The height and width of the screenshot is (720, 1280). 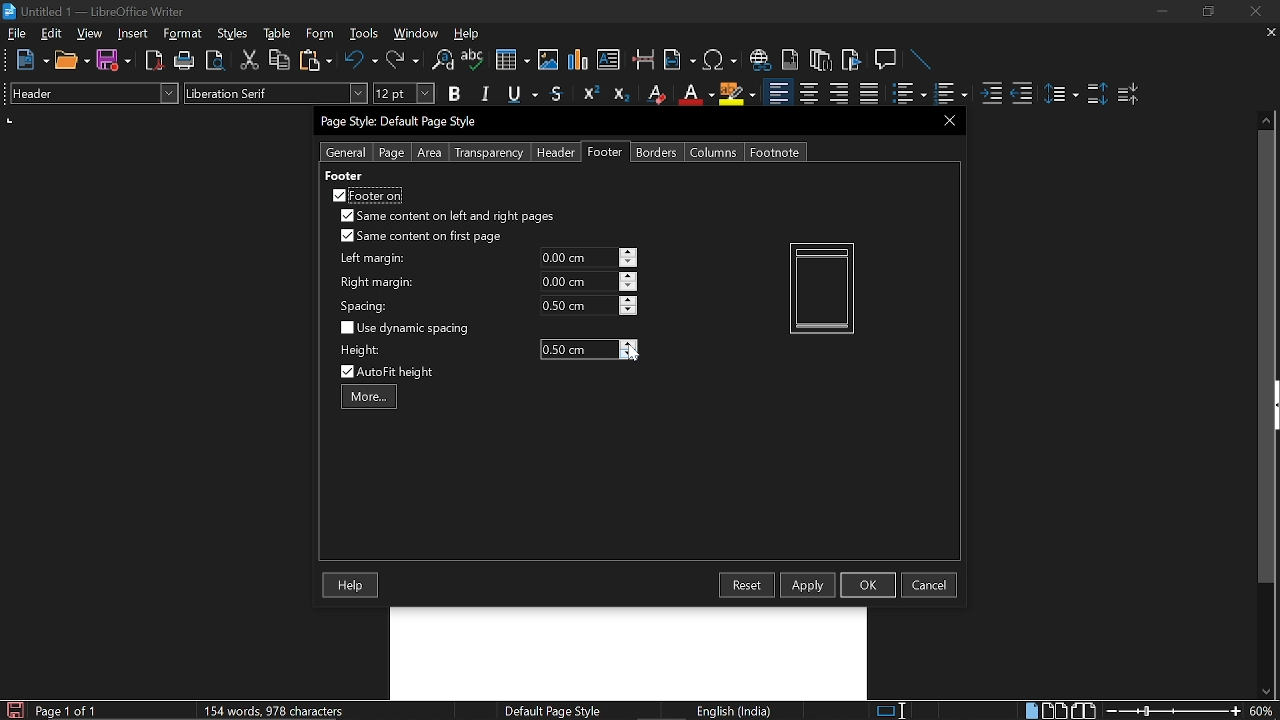 I want to click on right margin, so click(x=377, y=283).